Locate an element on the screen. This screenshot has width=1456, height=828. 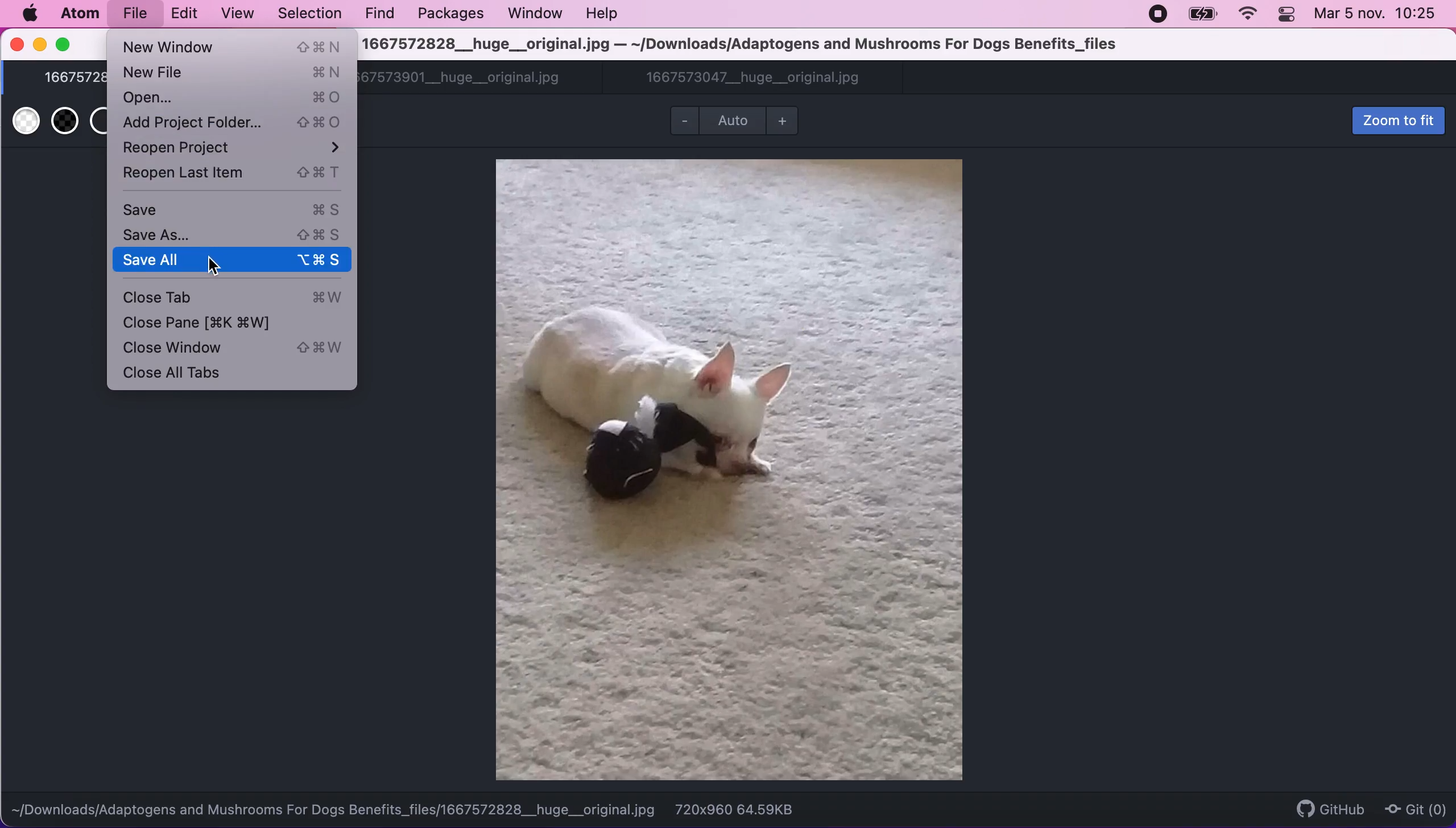
1667573901__huge__original.jpg is located at coordinates (474, 79).